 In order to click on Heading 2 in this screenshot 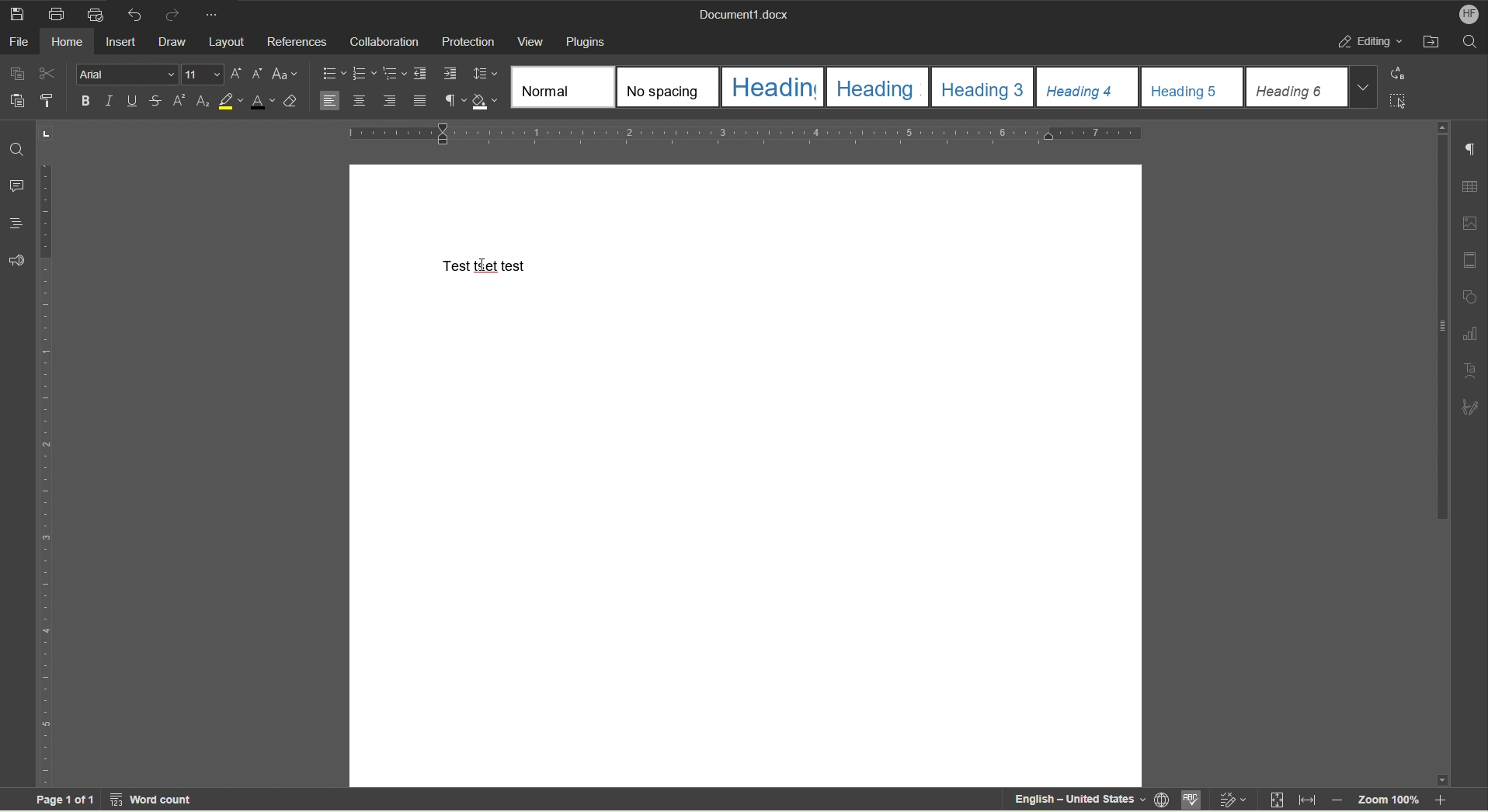, I will do `click(880, 86)`.